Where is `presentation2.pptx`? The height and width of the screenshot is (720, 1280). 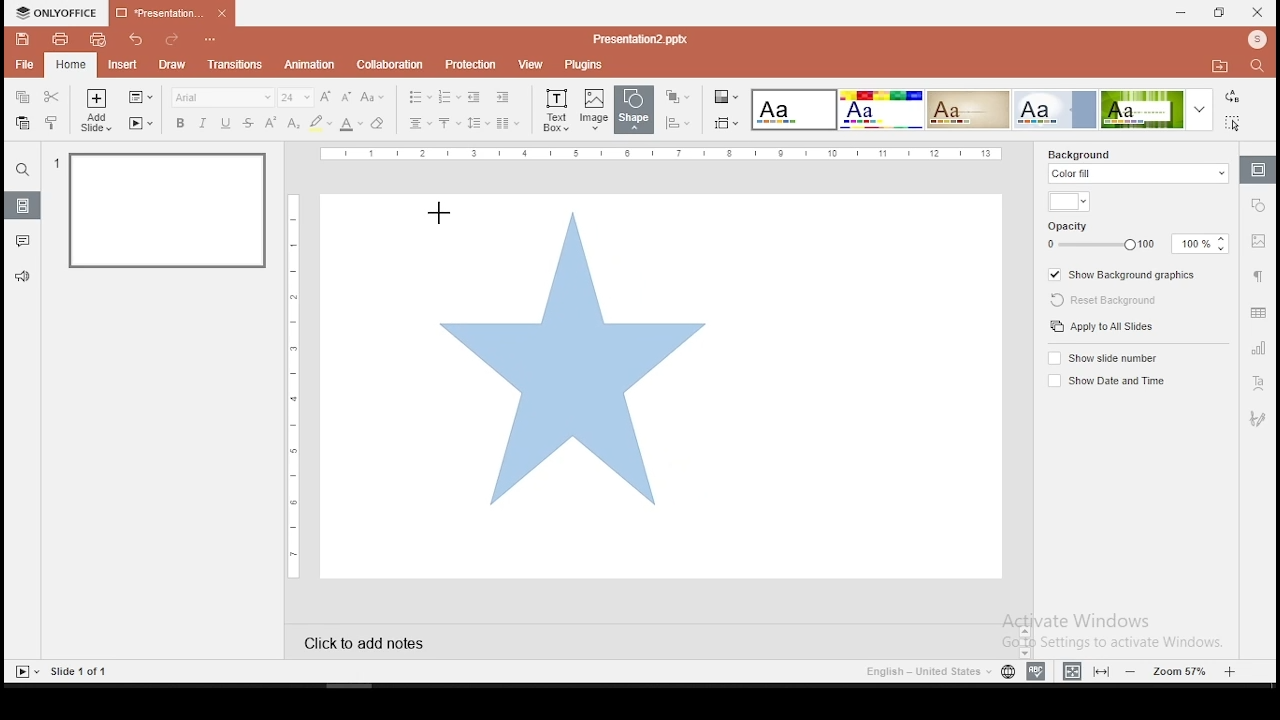 presentation2.pptx is located at coordinates (637, 40).